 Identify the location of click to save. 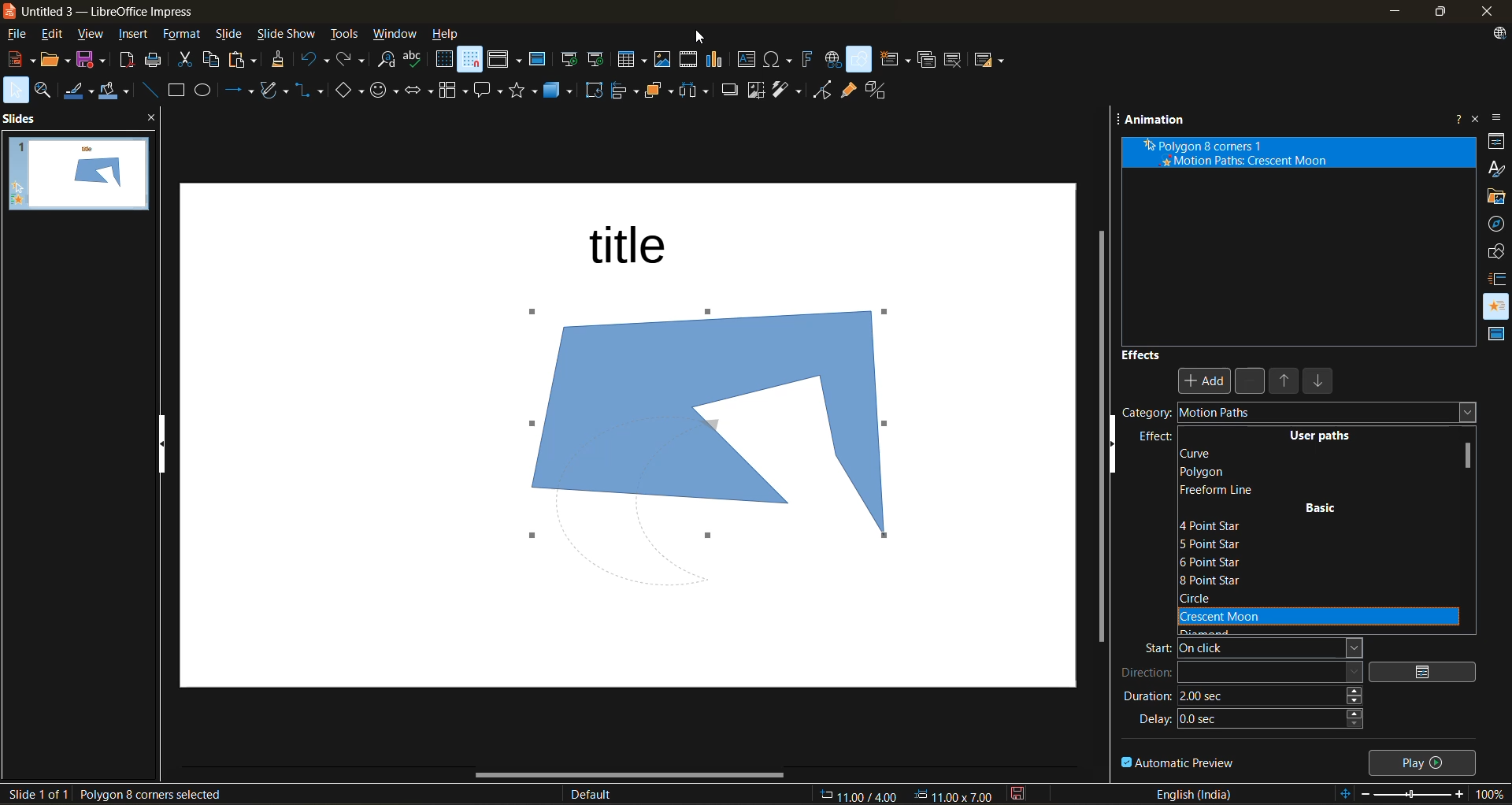
(1017, 793).